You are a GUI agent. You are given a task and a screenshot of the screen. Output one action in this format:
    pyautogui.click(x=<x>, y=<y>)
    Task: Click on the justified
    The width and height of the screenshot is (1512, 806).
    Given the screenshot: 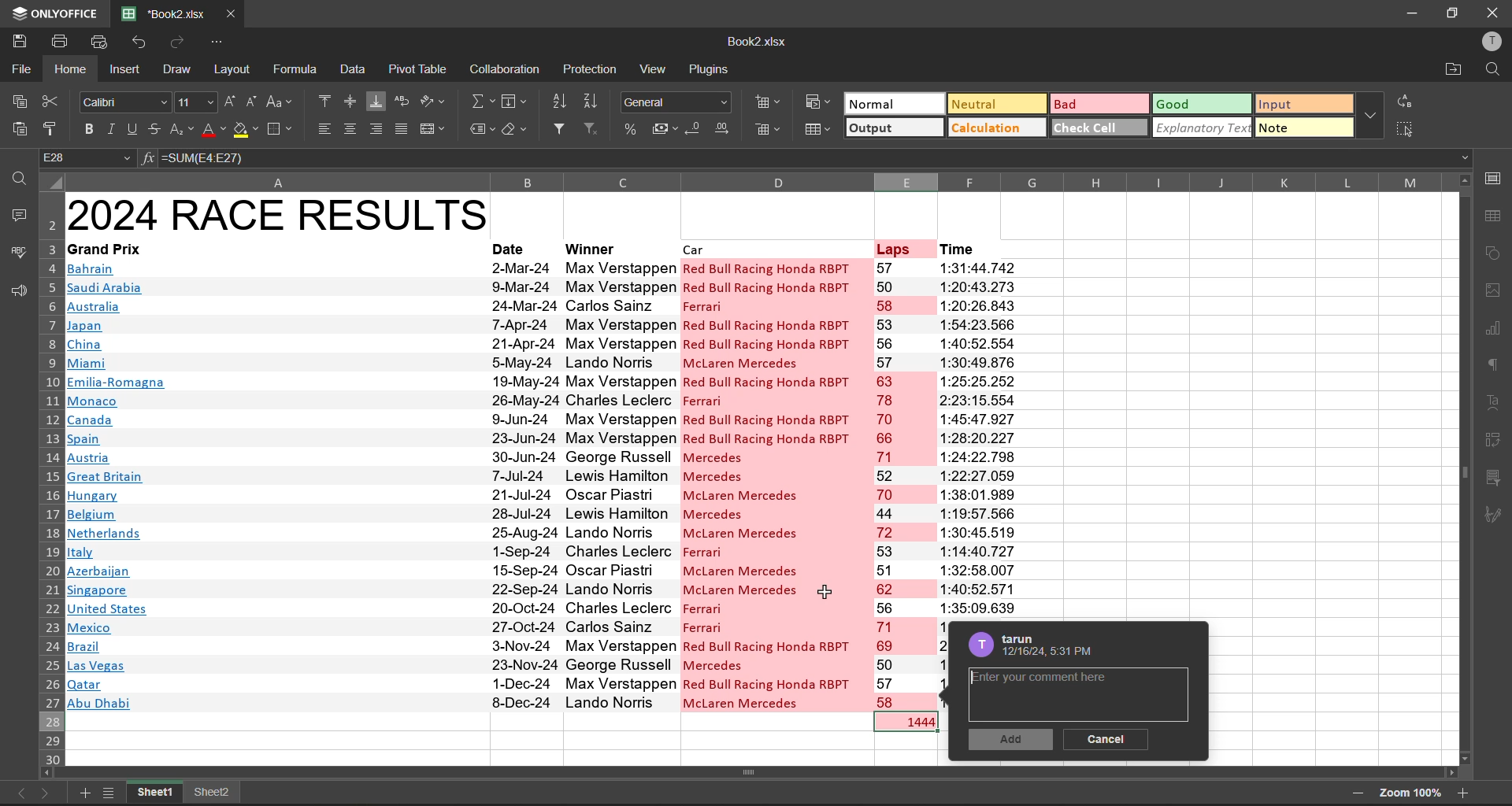 What is the action you would take?
    pyautogui.click(x=403, y=128)
    